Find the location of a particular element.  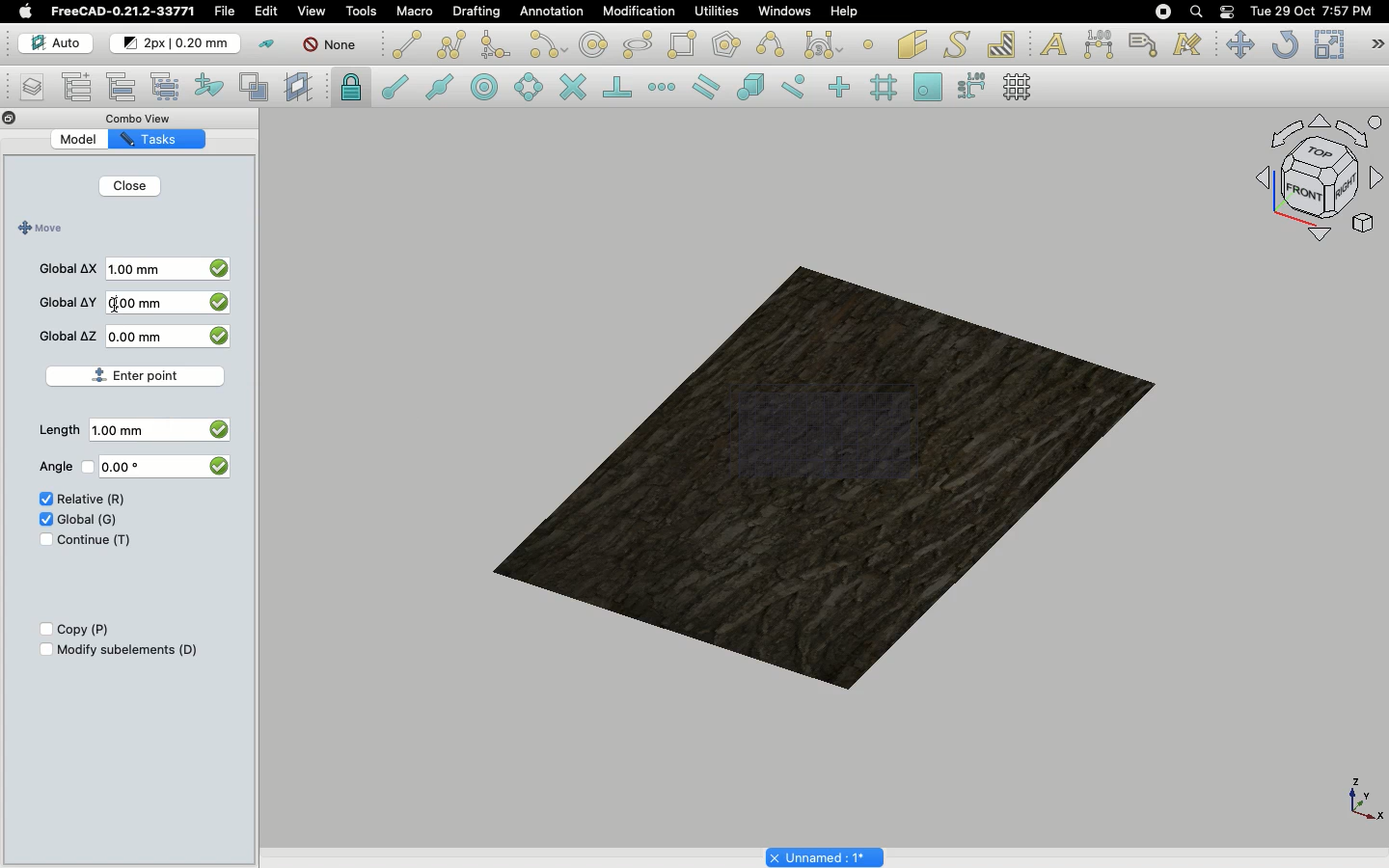

Global Z is located at coordinates (68, 336).